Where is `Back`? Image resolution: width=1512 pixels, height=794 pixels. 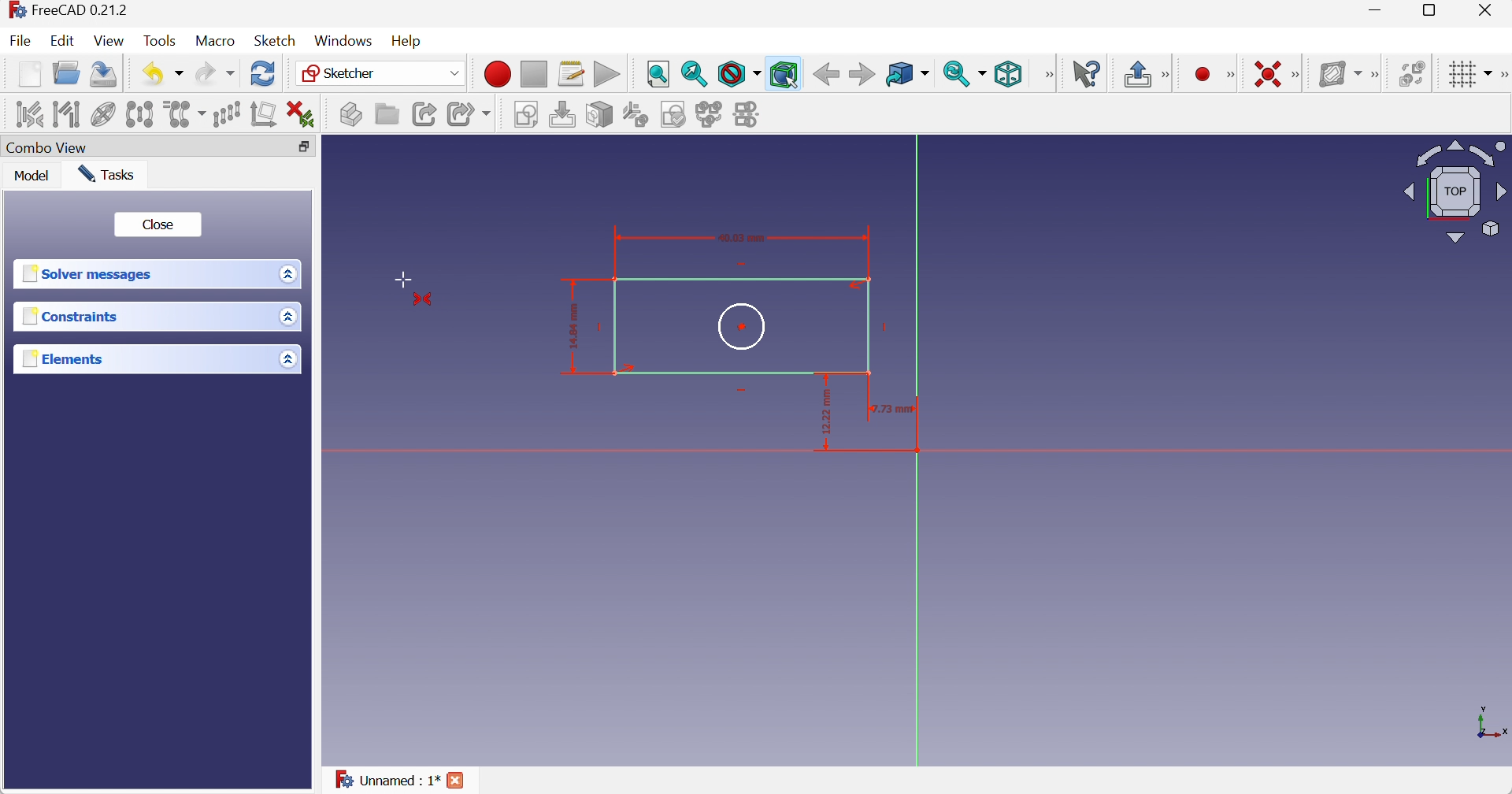 Back is located at coordinates (825, 75).